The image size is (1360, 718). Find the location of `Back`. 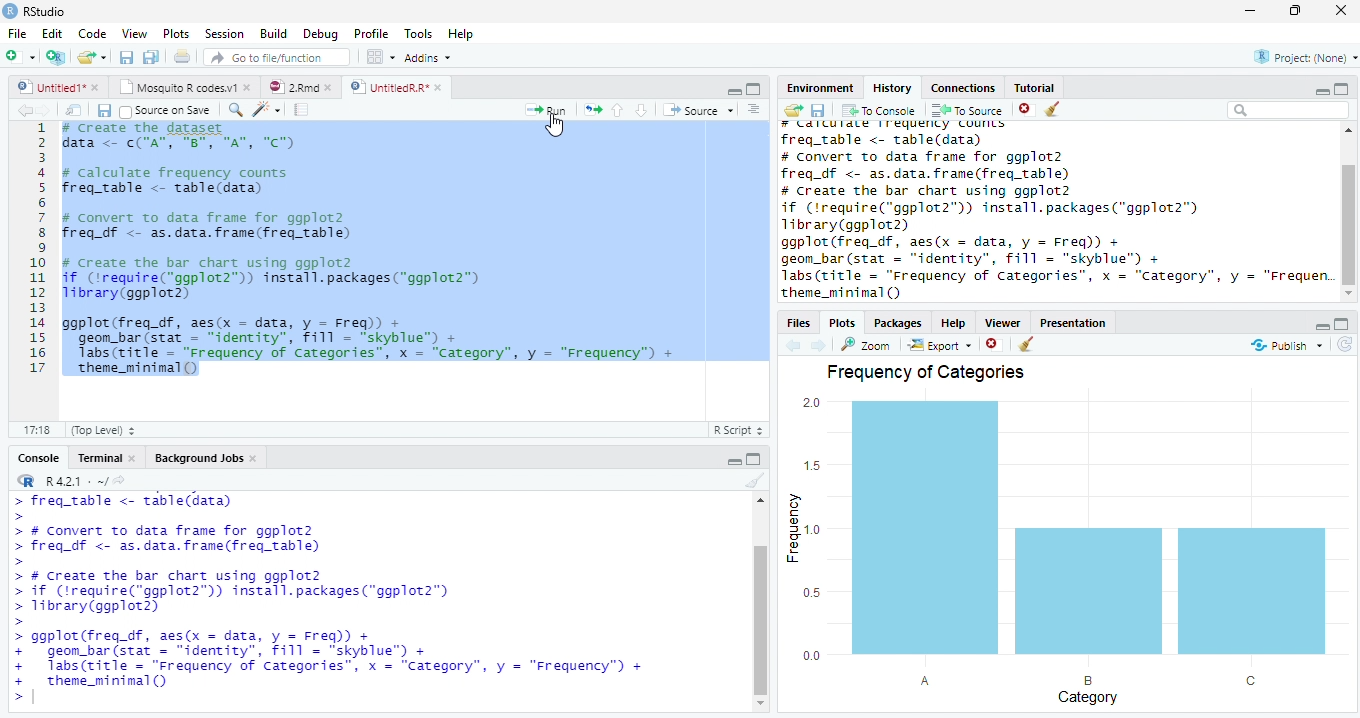

Back is located at coordinates (23, 110).